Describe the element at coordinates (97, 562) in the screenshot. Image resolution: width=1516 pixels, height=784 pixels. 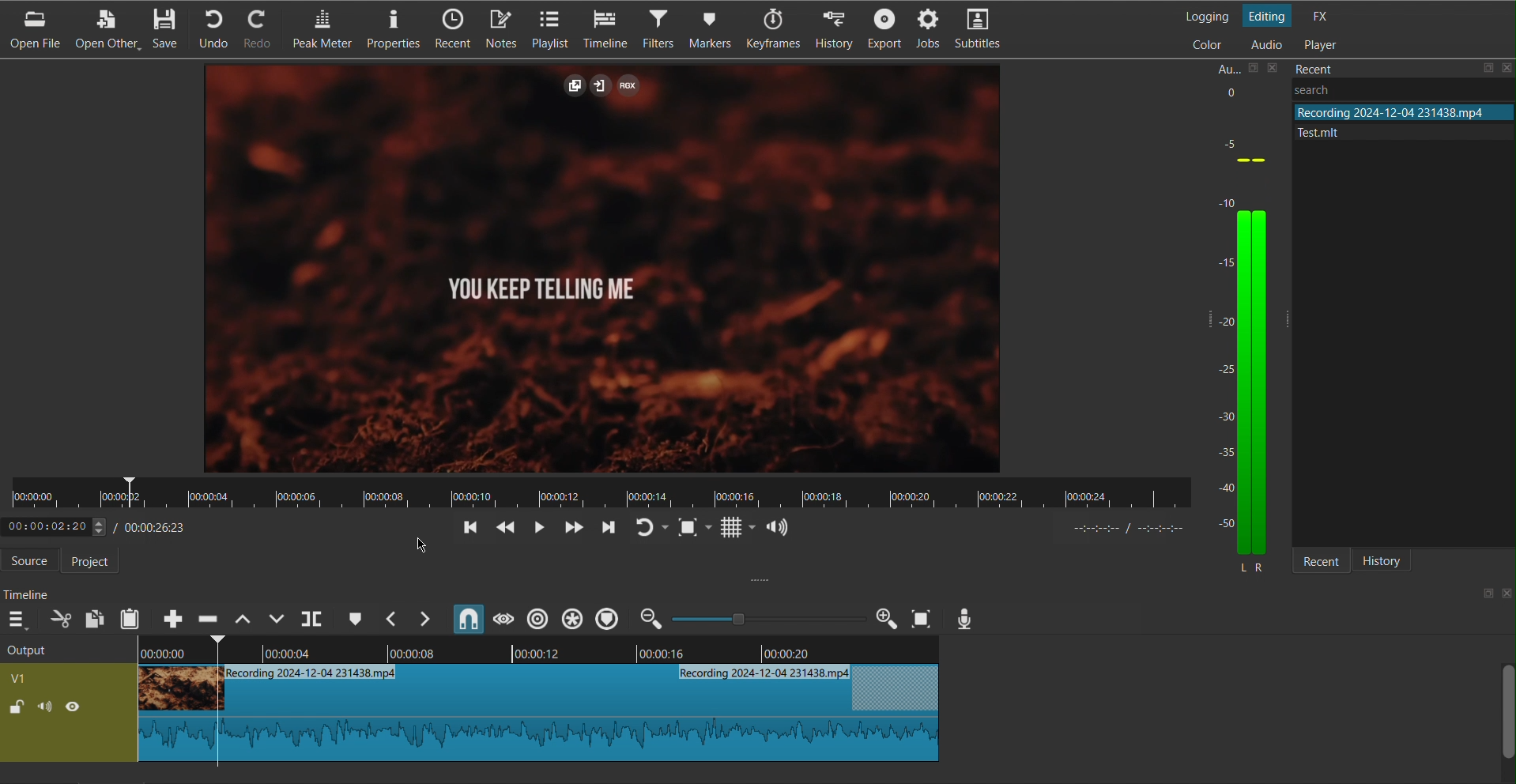
I see `Project` at that location.